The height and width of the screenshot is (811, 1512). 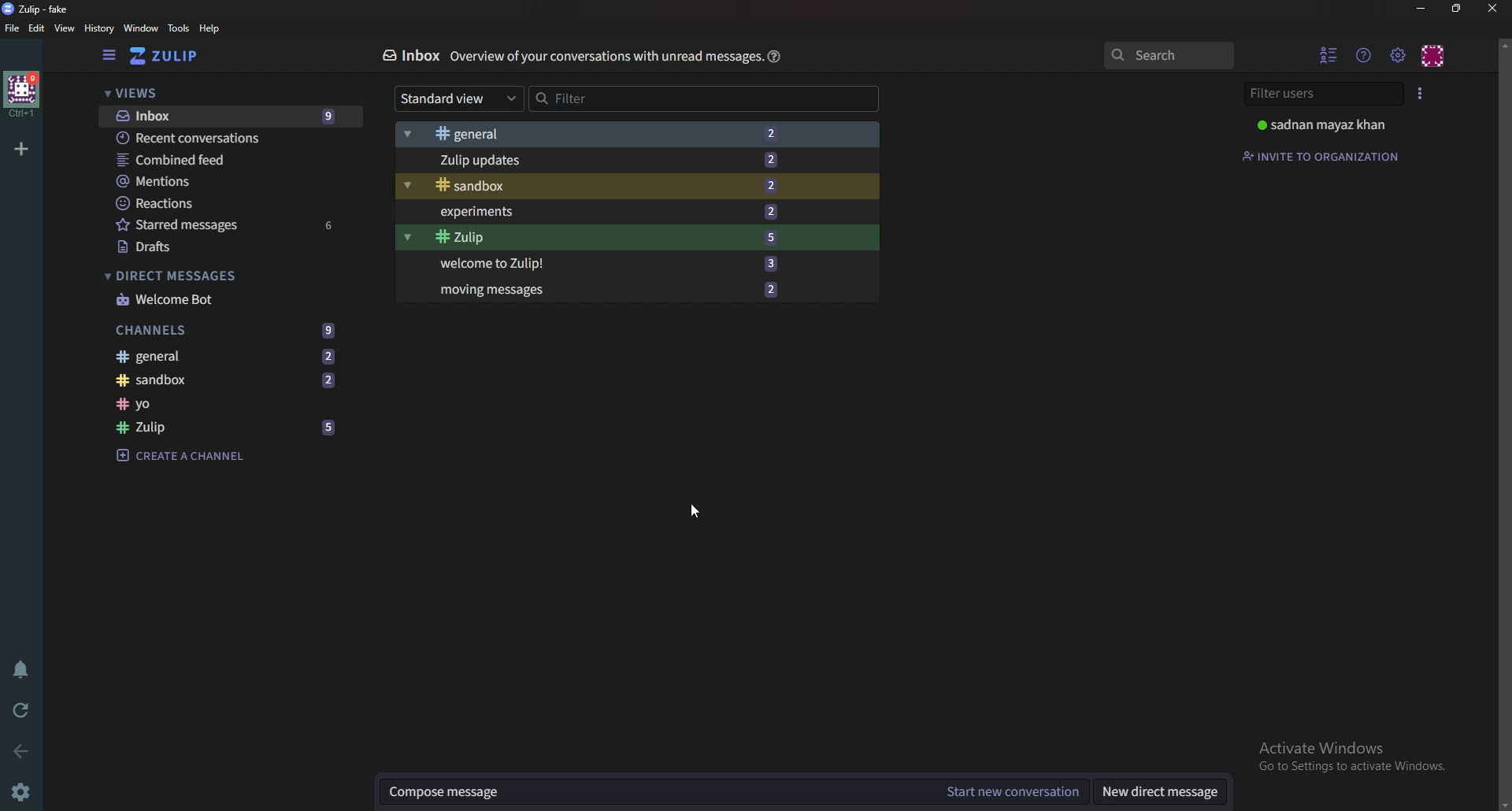 What do you see at coordinates (228, 404) in the screenshot?
I see `Channel` at bounding box center [228, 404].